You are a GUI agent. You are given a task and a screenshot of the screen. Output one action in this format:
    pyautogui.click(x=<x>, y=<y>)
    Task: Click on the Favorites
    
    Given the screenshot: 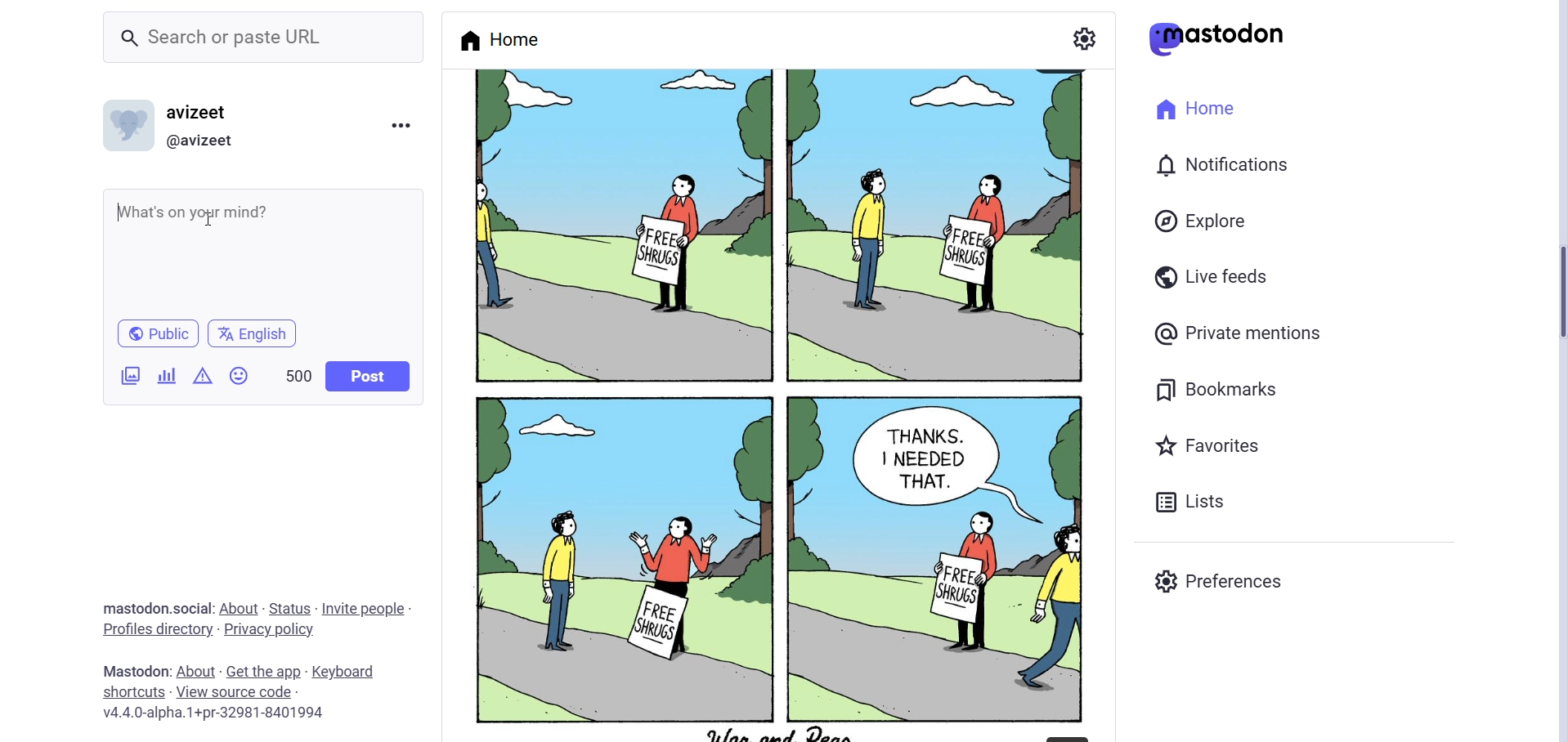 What is the action you would take?
    pyautogui.click(x=1212, y=444)
    